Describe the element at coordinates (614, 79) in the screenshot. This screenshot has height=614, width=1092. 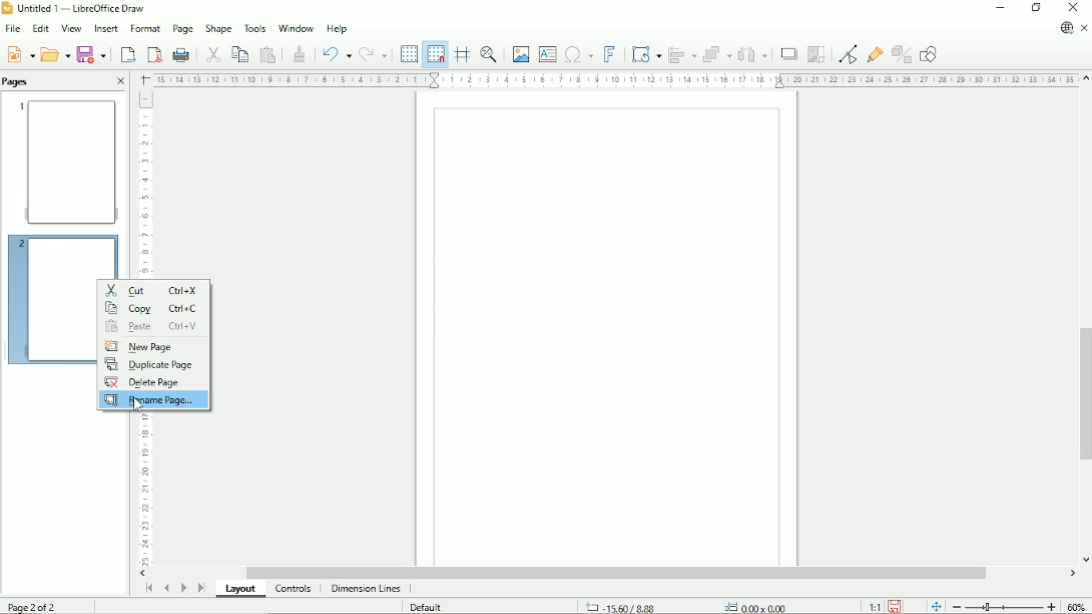
I see `Horizontal scale` at that location.